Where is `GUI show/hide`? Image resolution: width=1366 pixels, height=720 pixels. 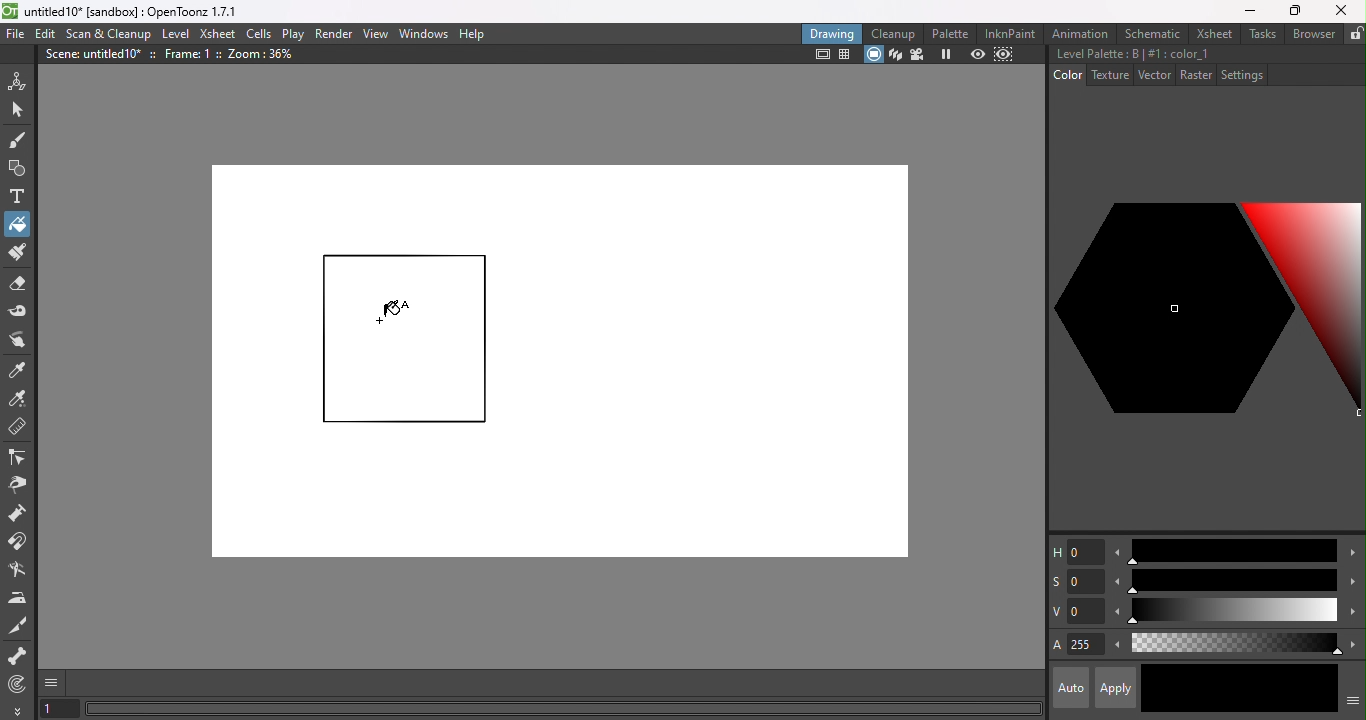
GUI show/hide is located at coordinates (53, 683).